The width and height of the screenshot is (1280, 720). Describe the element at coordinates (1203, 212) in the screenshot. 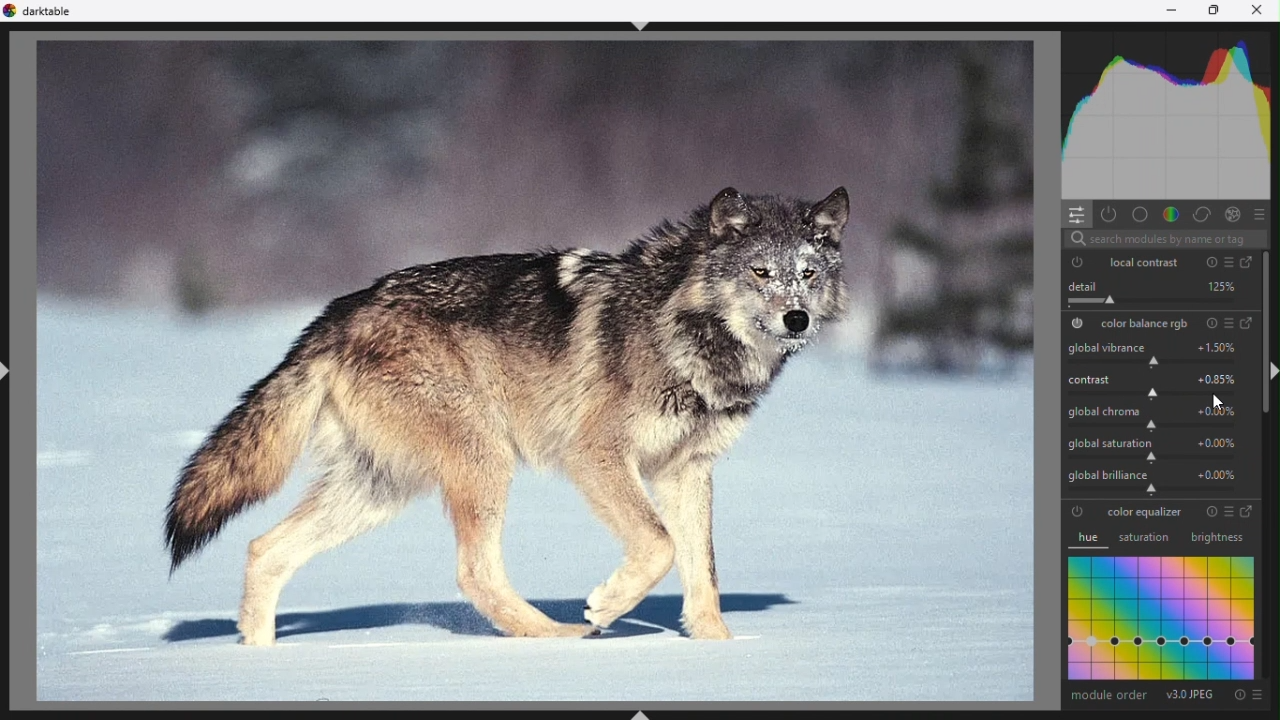

I see `correct` at that location.